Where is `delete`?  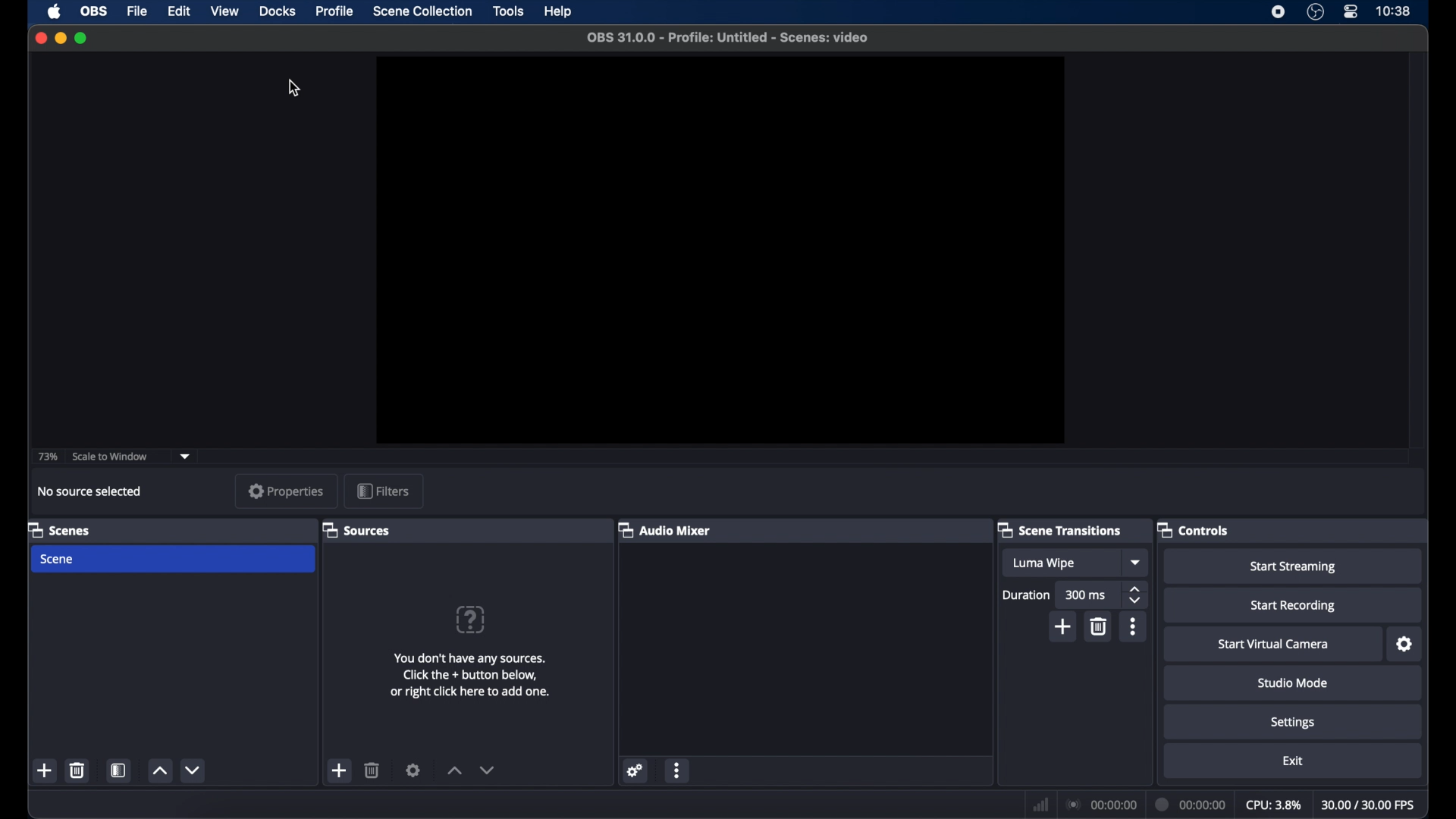
delete is located at coordinates (77, 770).